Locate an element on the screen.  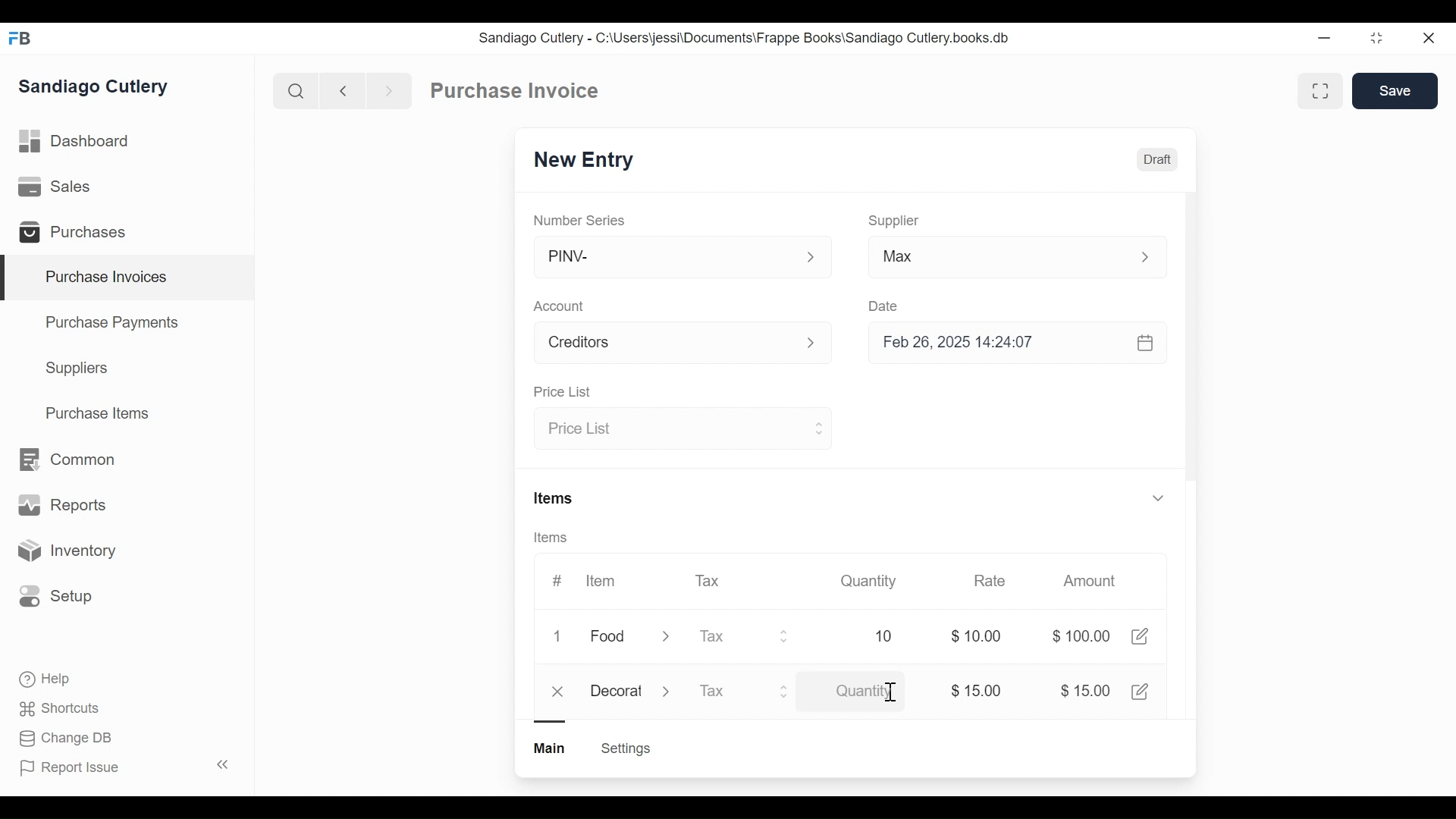
$0.00 is located at coordinates (981, 636).